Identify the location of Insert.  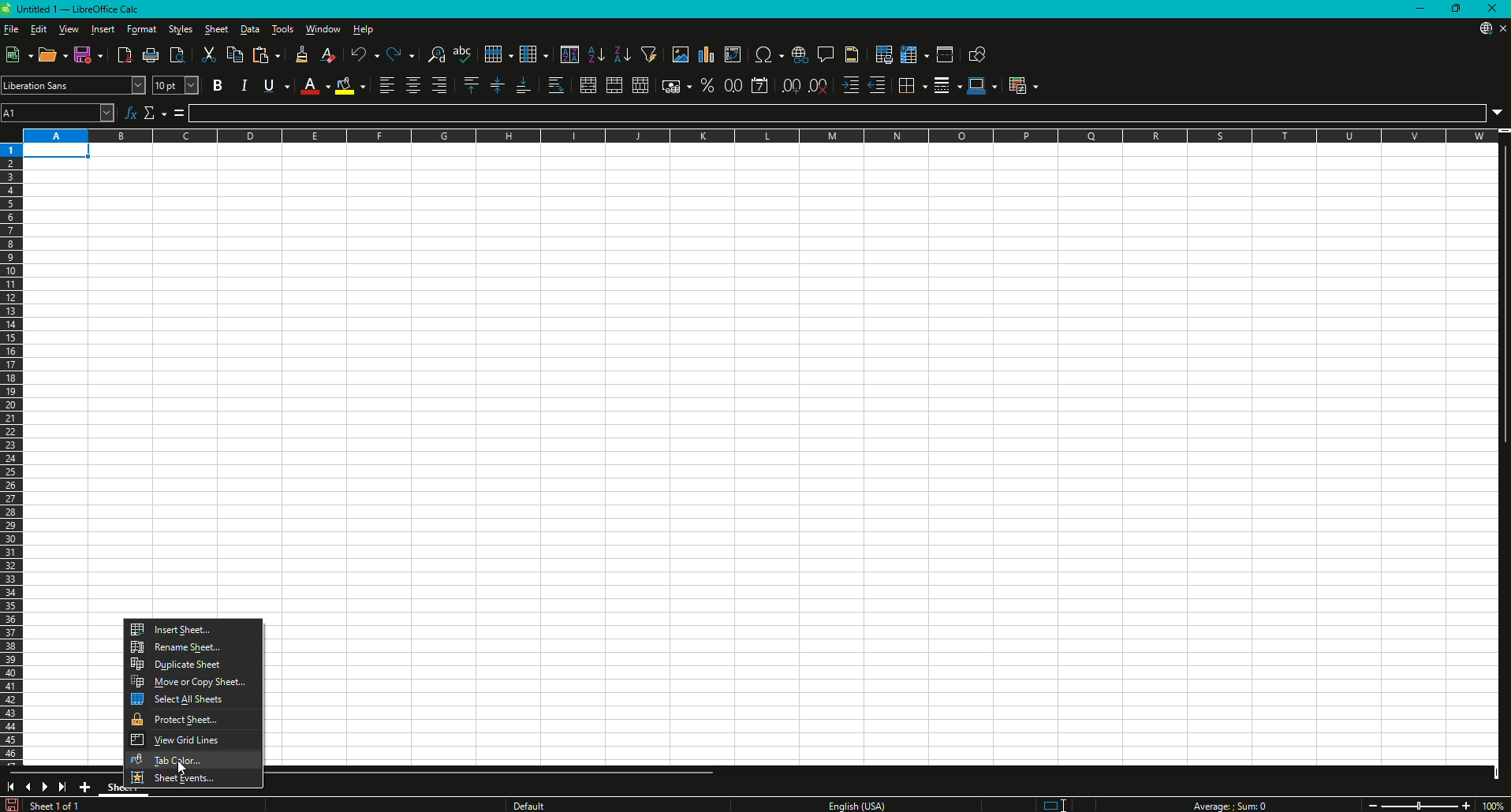
(103, 28).